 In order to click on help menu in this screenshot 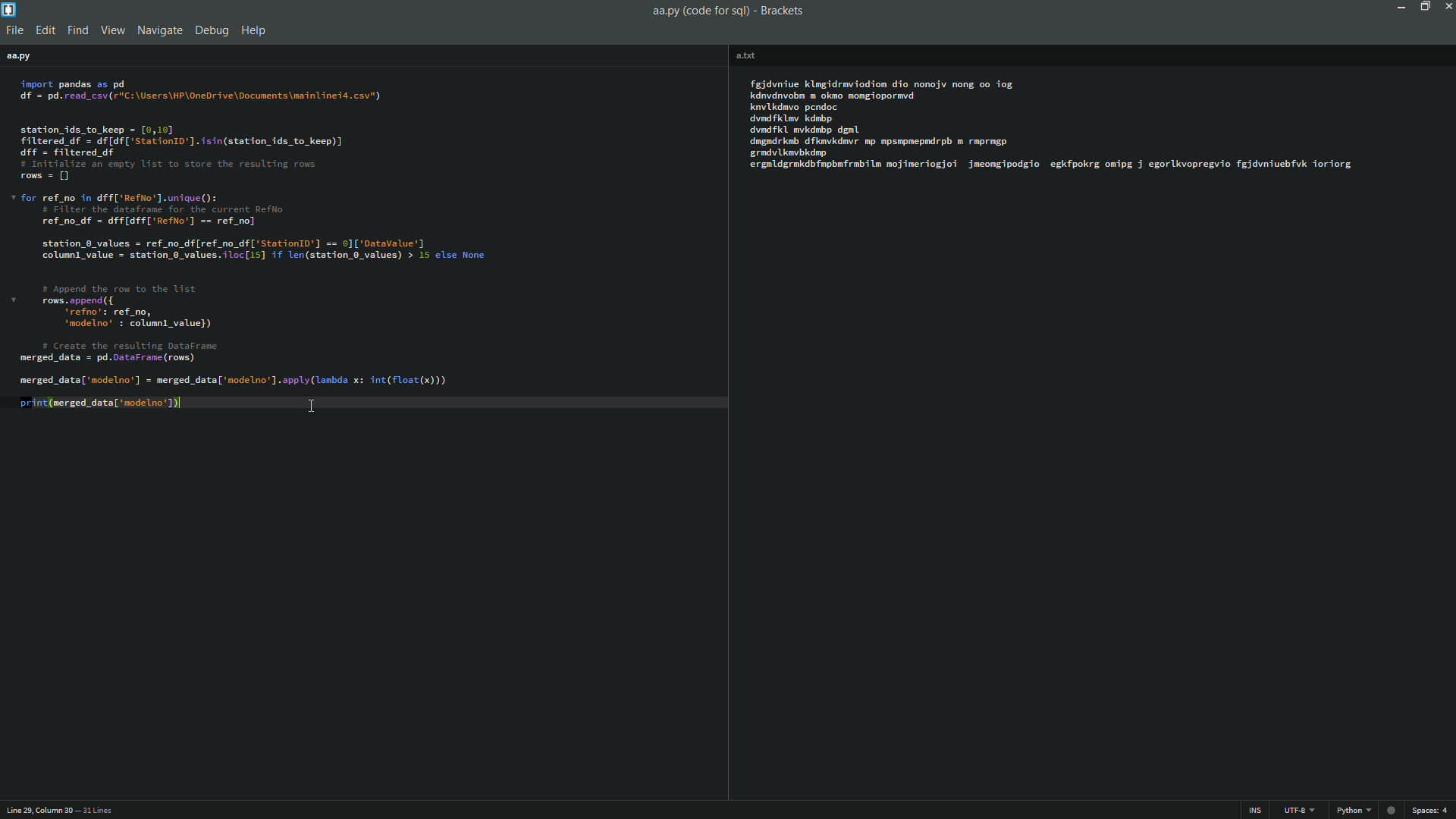, I will do `click(256, 32)`.